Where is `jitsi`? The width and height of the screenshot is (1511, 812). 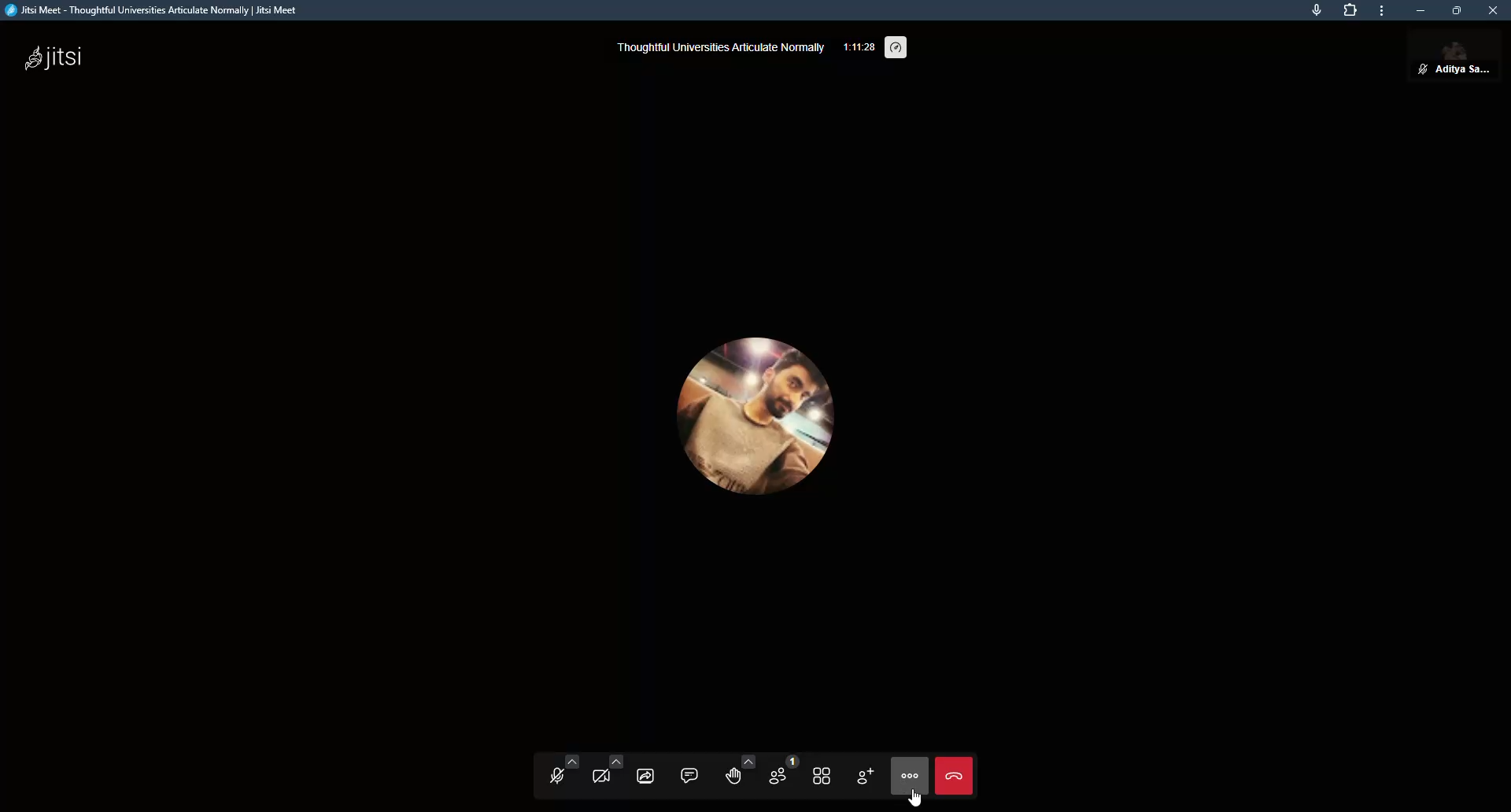 jitsi is located at coordinates (58, 57).